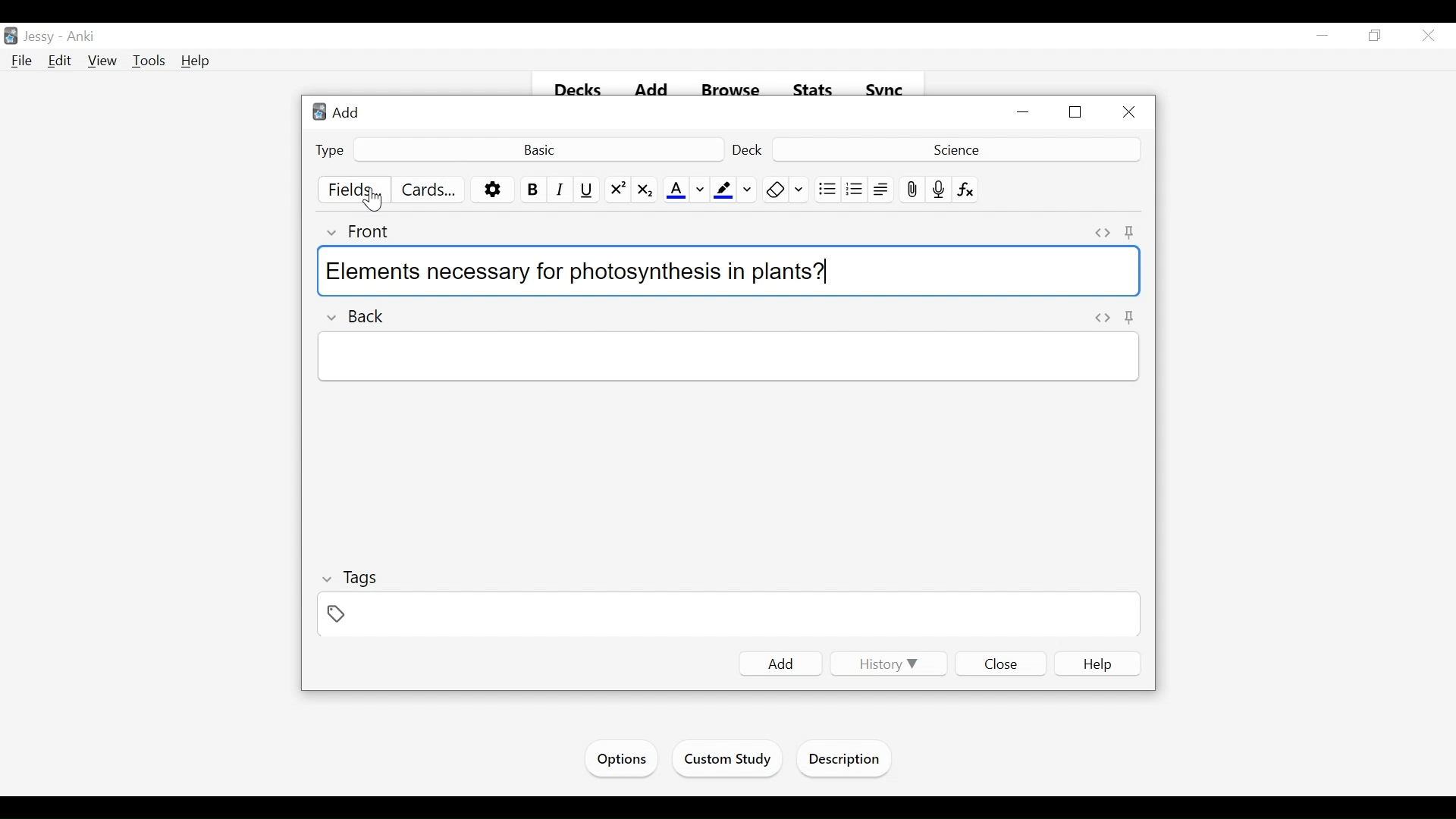 The width and height of the screenshot is (1456, 819). I want to click on Bold, so click(532, 190).